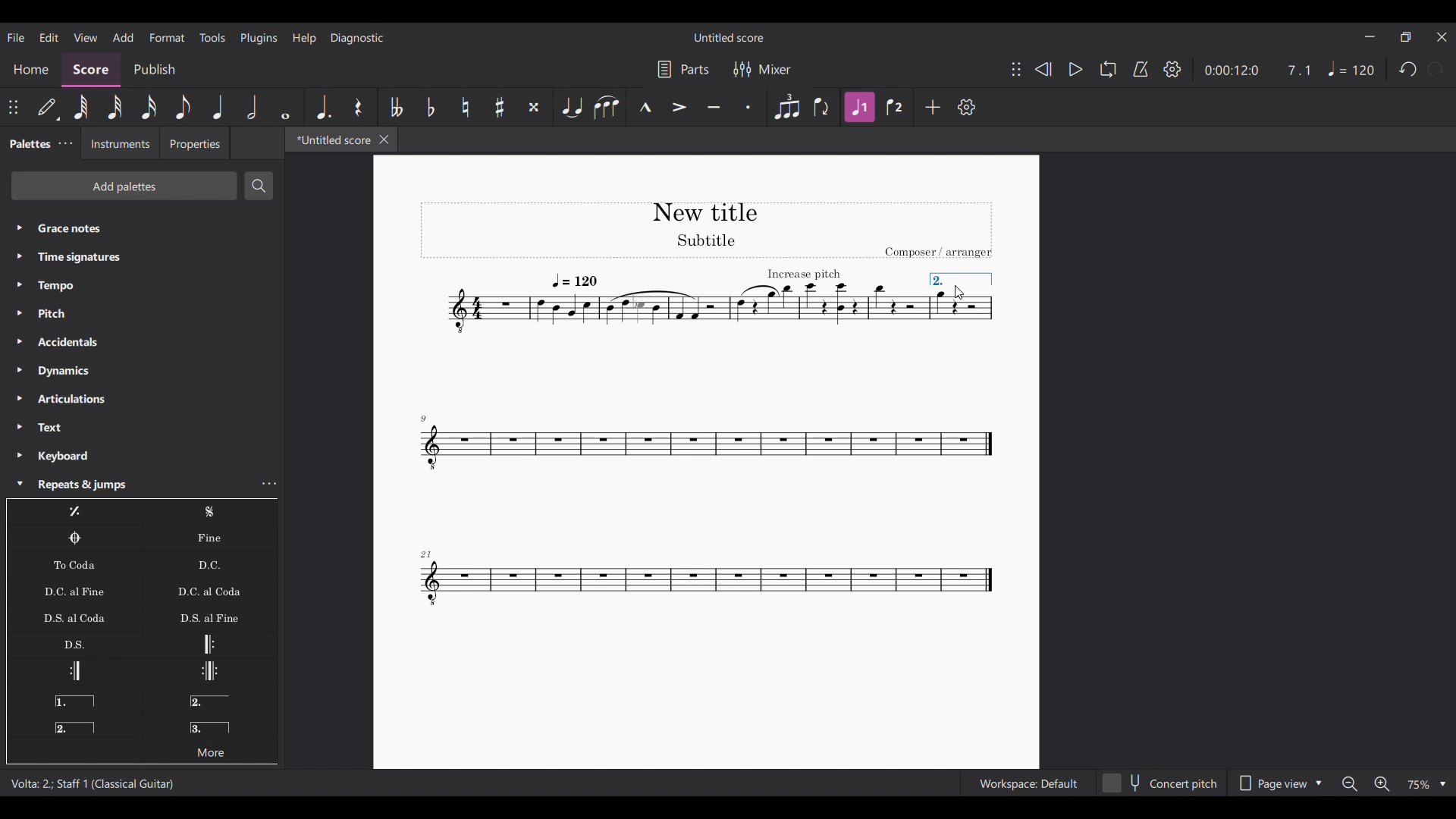 This screenshot has width=1456, height=819. I want to click on Edit menu, so click(49, 38).